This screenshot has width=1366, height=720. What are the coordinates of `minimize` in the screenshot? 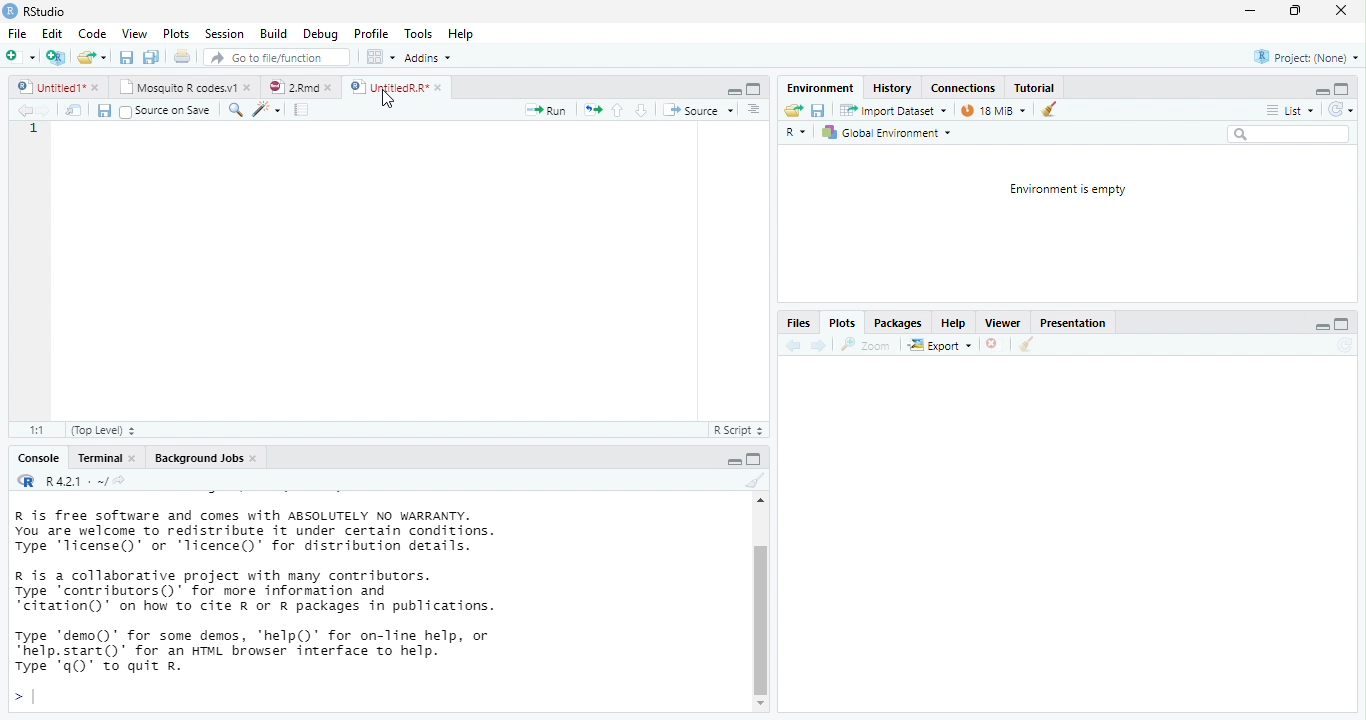 It's located at (734, 92).